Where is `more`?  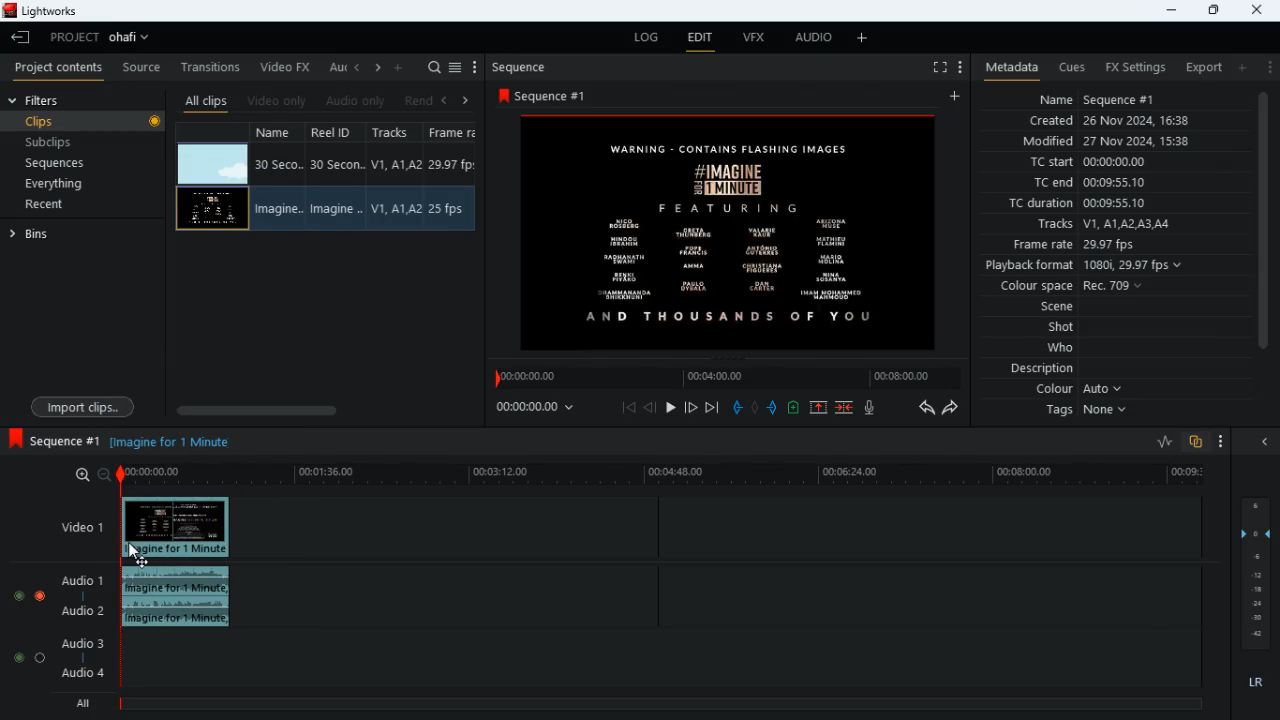
more is located at coordinates (478, 66).